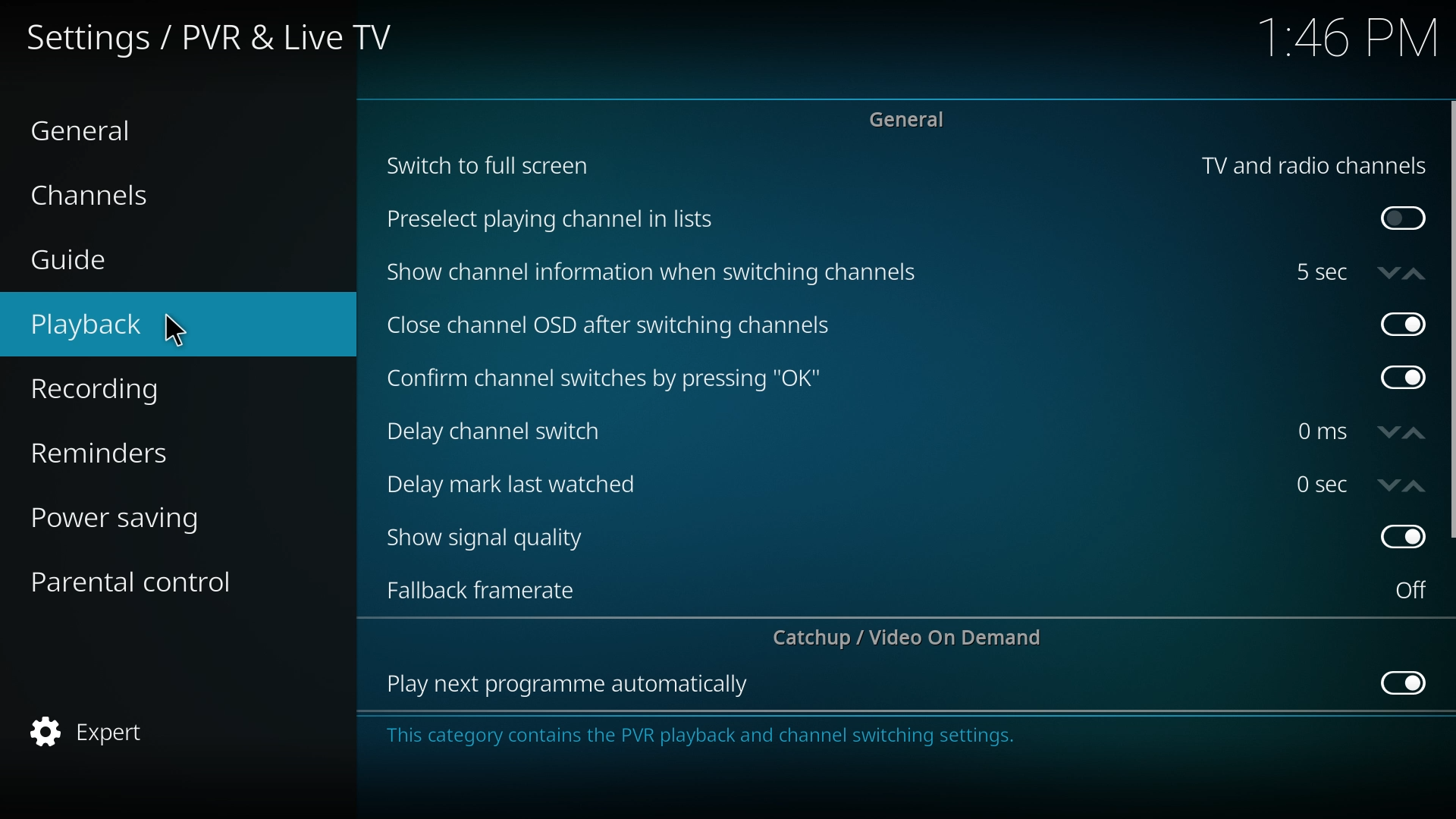 This screenshot has width=1456, height=819. What do you see at coordinates (146, 580) in the screenshot?
I see `parental control` at bounding box center [146, 580].